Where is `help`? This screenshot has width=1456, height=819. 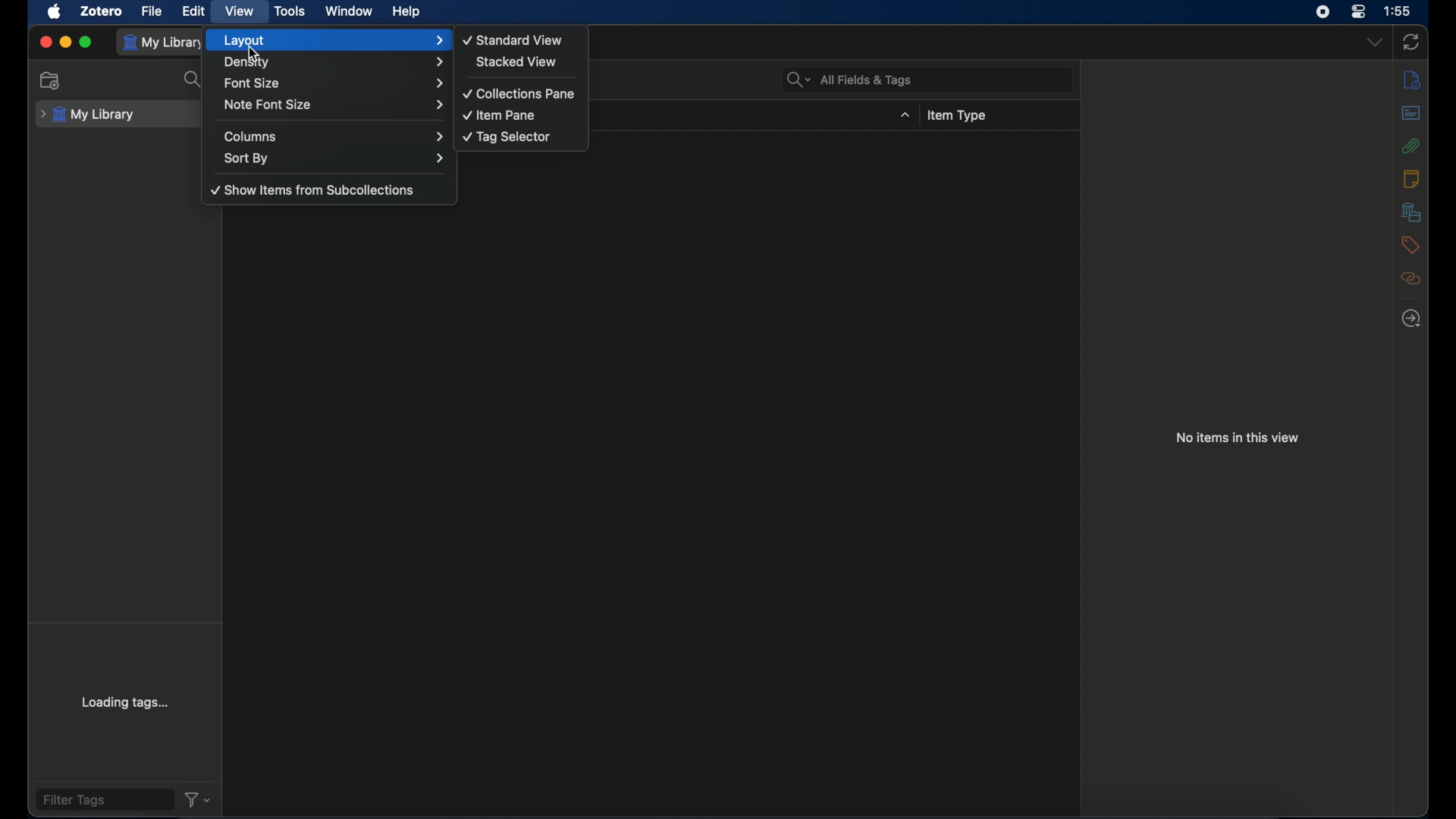 help is located at coordinates (406, 12).